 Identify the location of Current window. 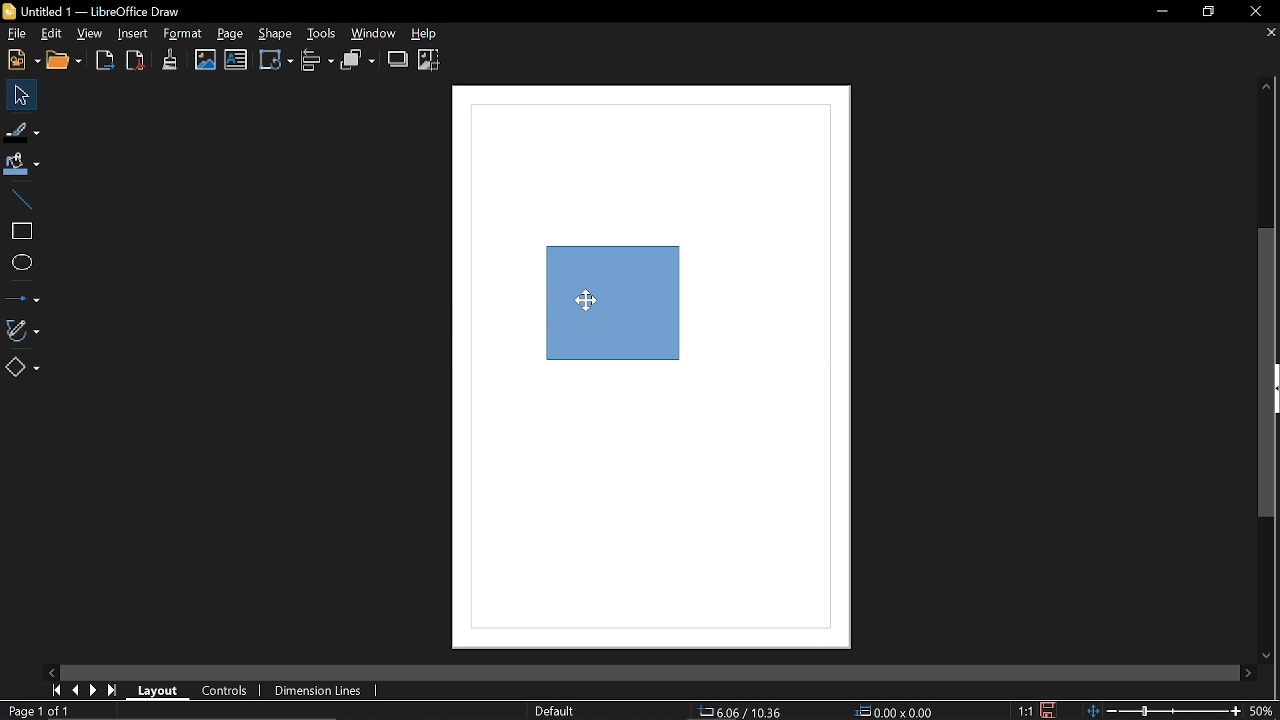
(94, 12).